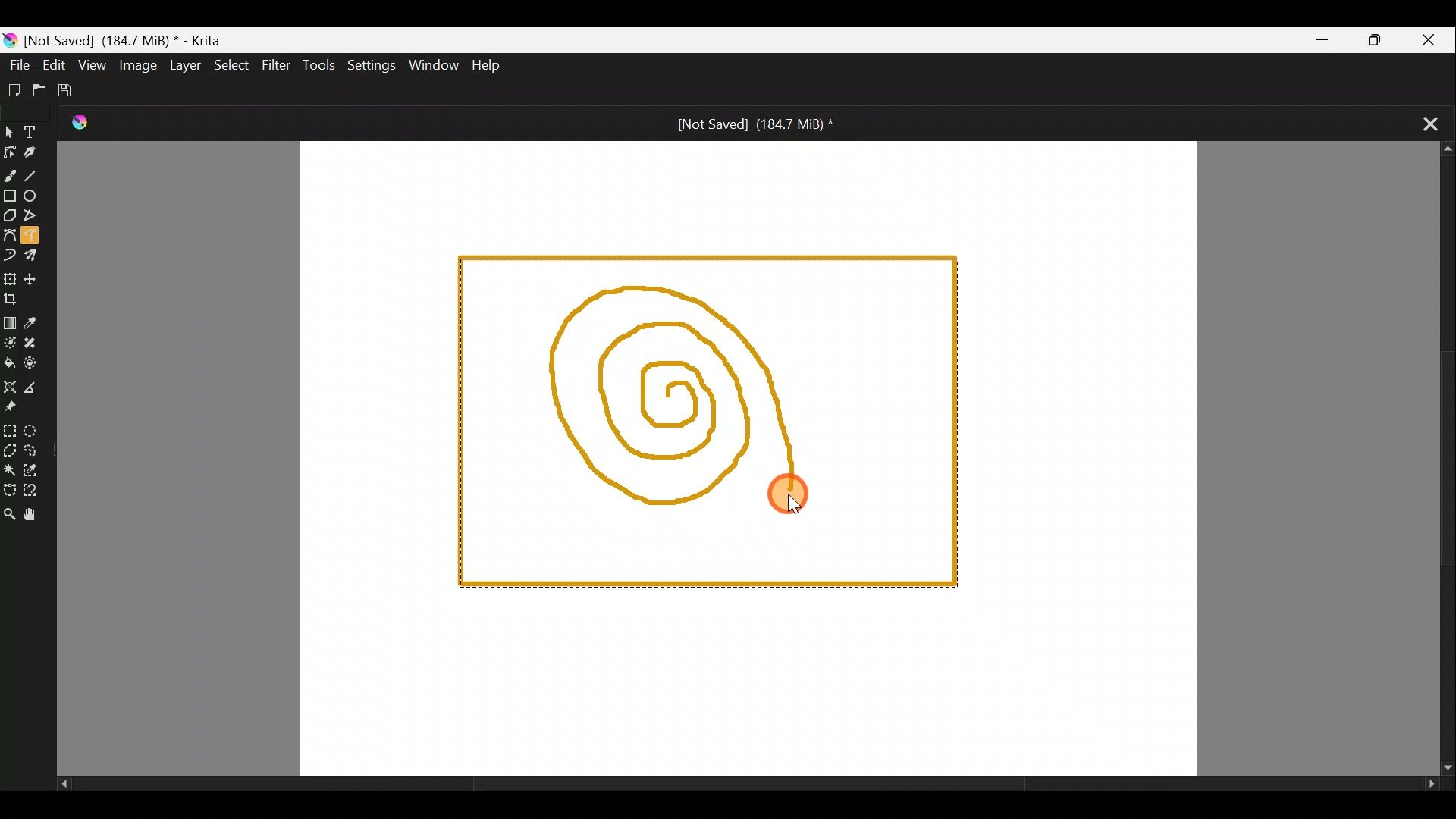 The image size is (1456, 819). I want to click on Contiguous selection tool, so click(9, 467).